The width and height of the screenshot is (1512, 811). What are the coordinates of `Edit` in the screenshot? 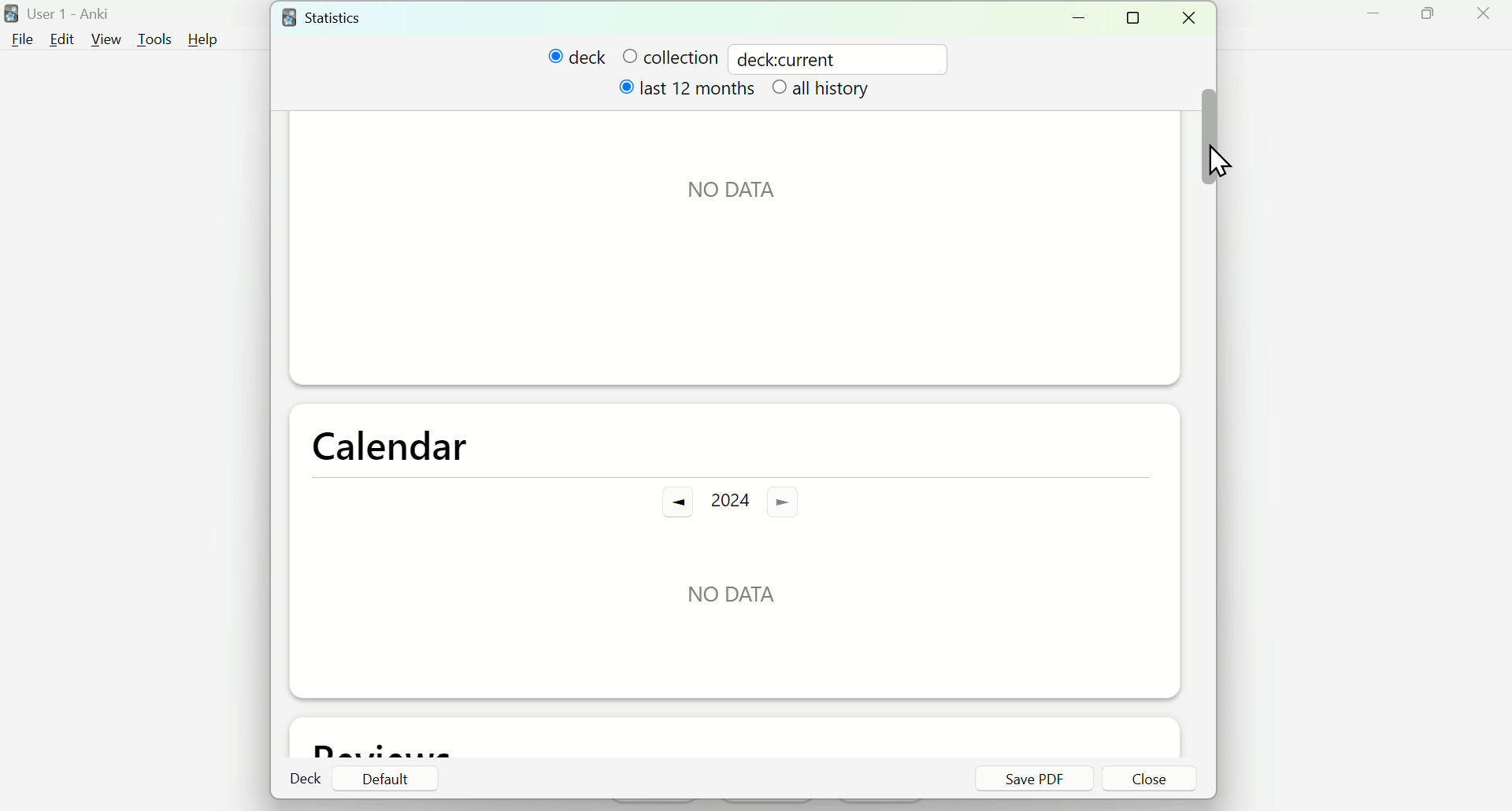 It's located at (61, 39).